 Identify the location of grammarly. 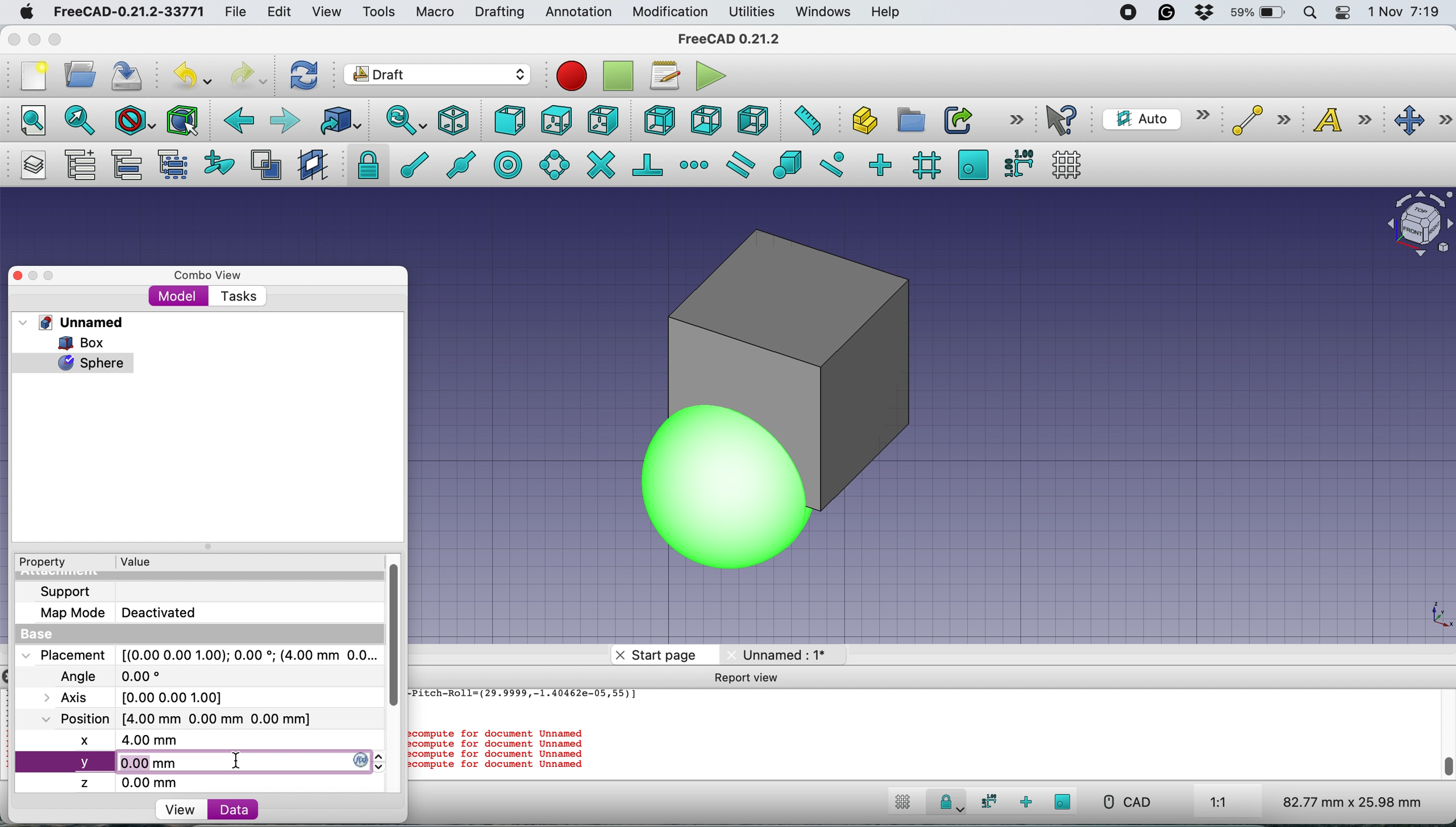
(1167, 12).